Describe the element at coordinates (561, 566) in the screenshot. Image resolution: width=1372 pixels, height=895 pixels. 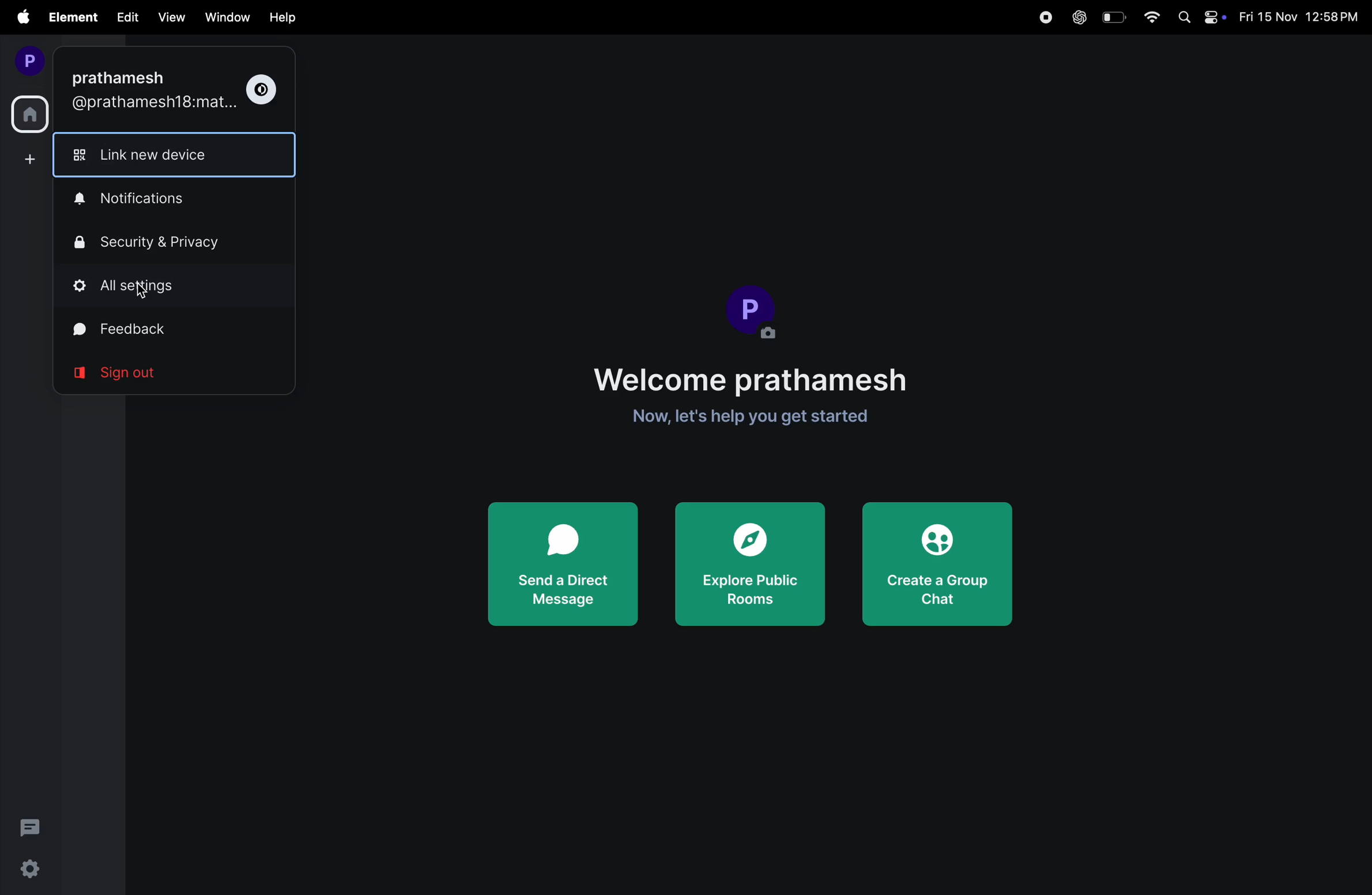
I see `Send direct message` at that location.